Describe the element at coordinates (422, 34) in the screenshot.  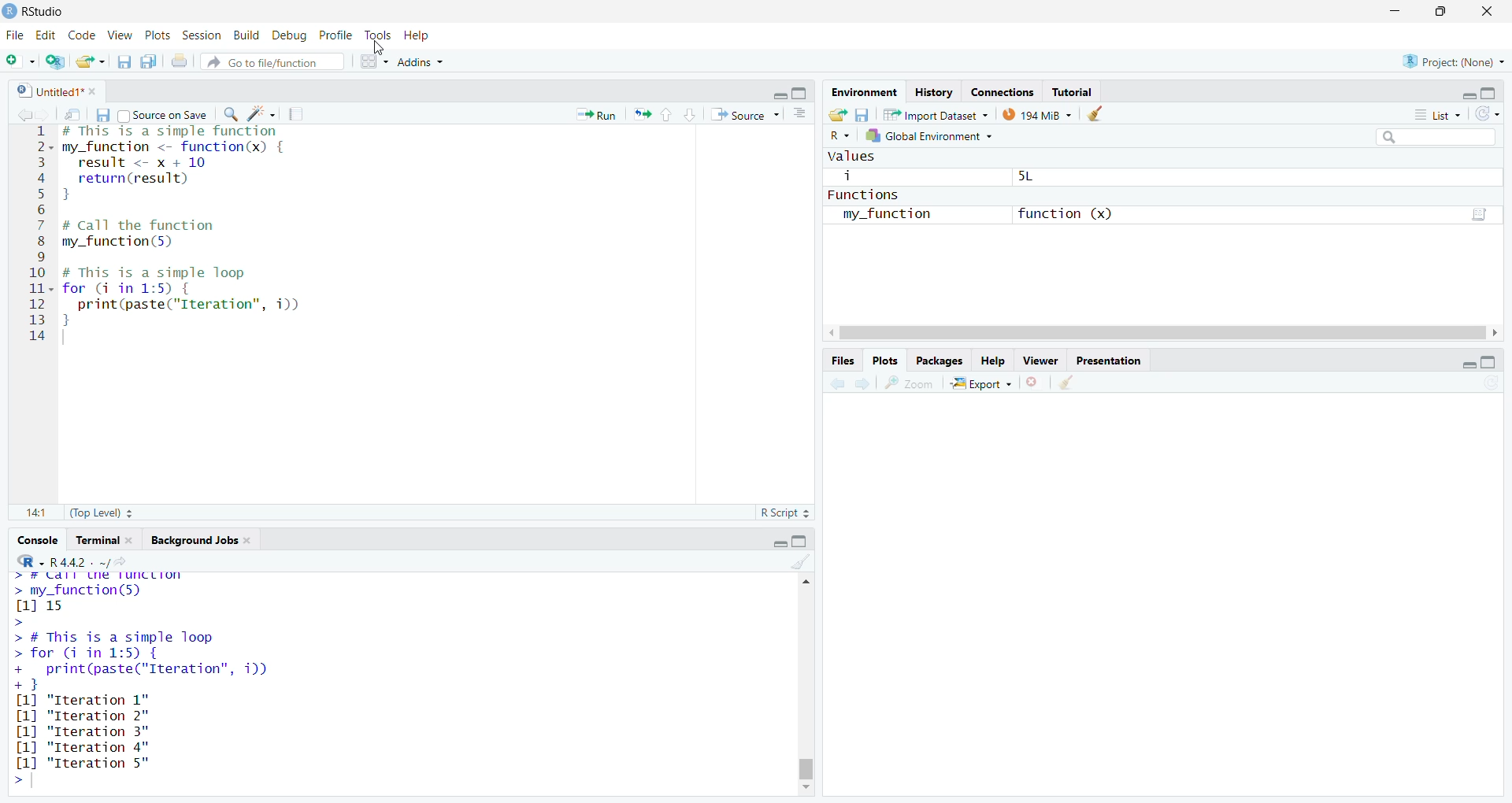
I see `help` at that location.